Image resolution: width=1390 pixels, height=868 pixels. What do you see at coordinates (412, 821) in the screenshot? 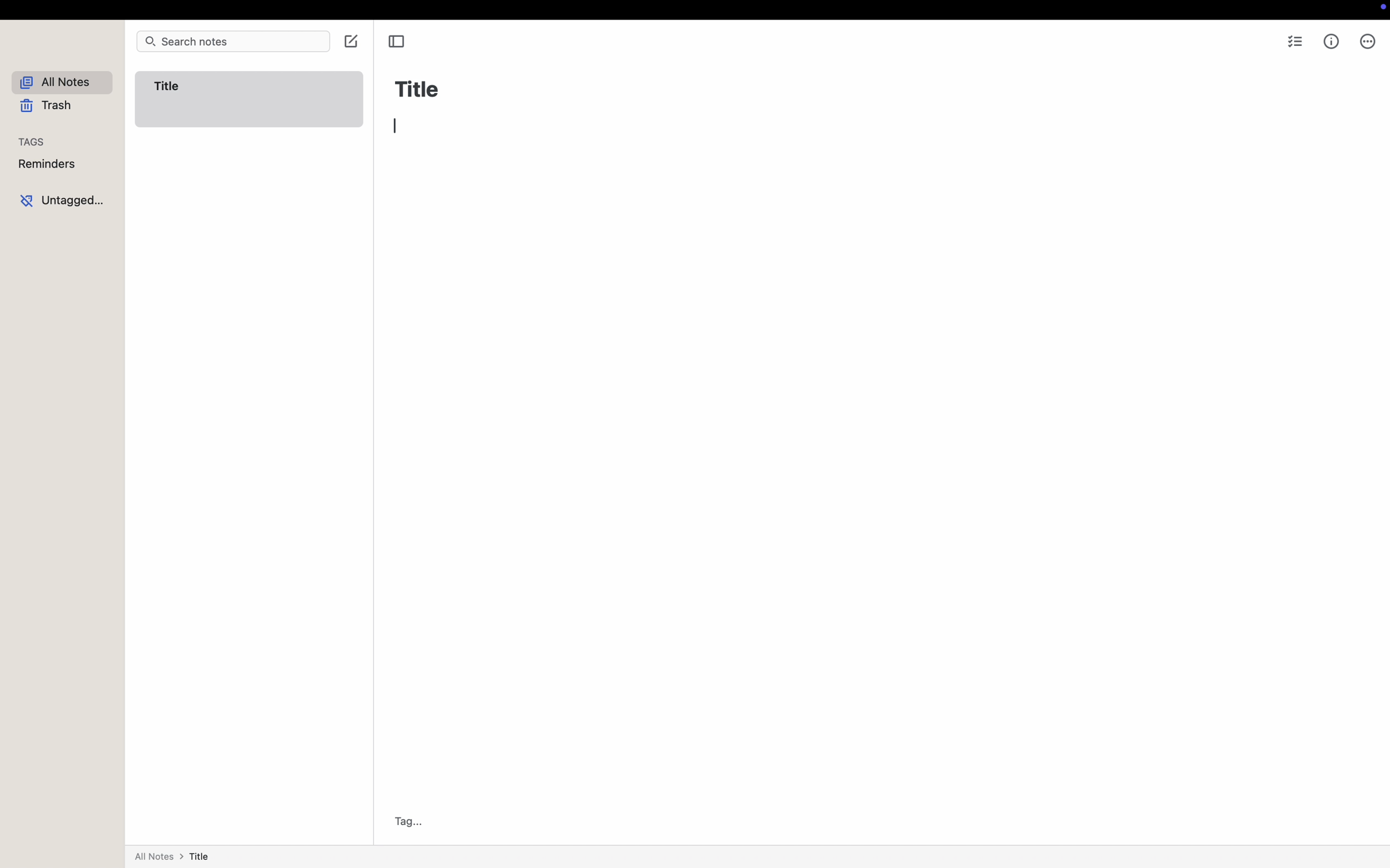
I see `Tag...` at bounding box center [412, 821].